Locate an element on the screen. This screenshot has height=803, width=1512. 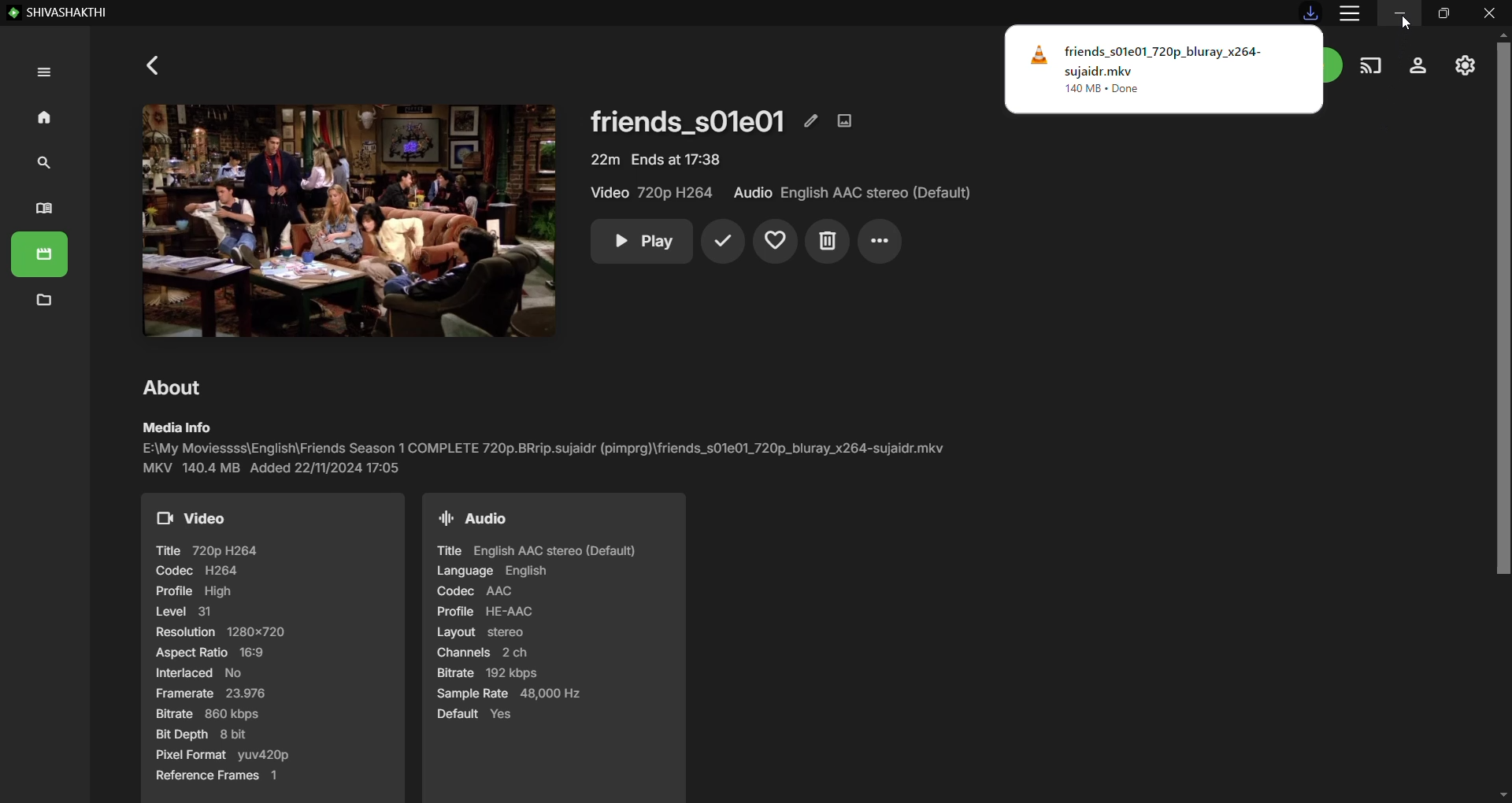
Expand is located at coordinates (42, 73).